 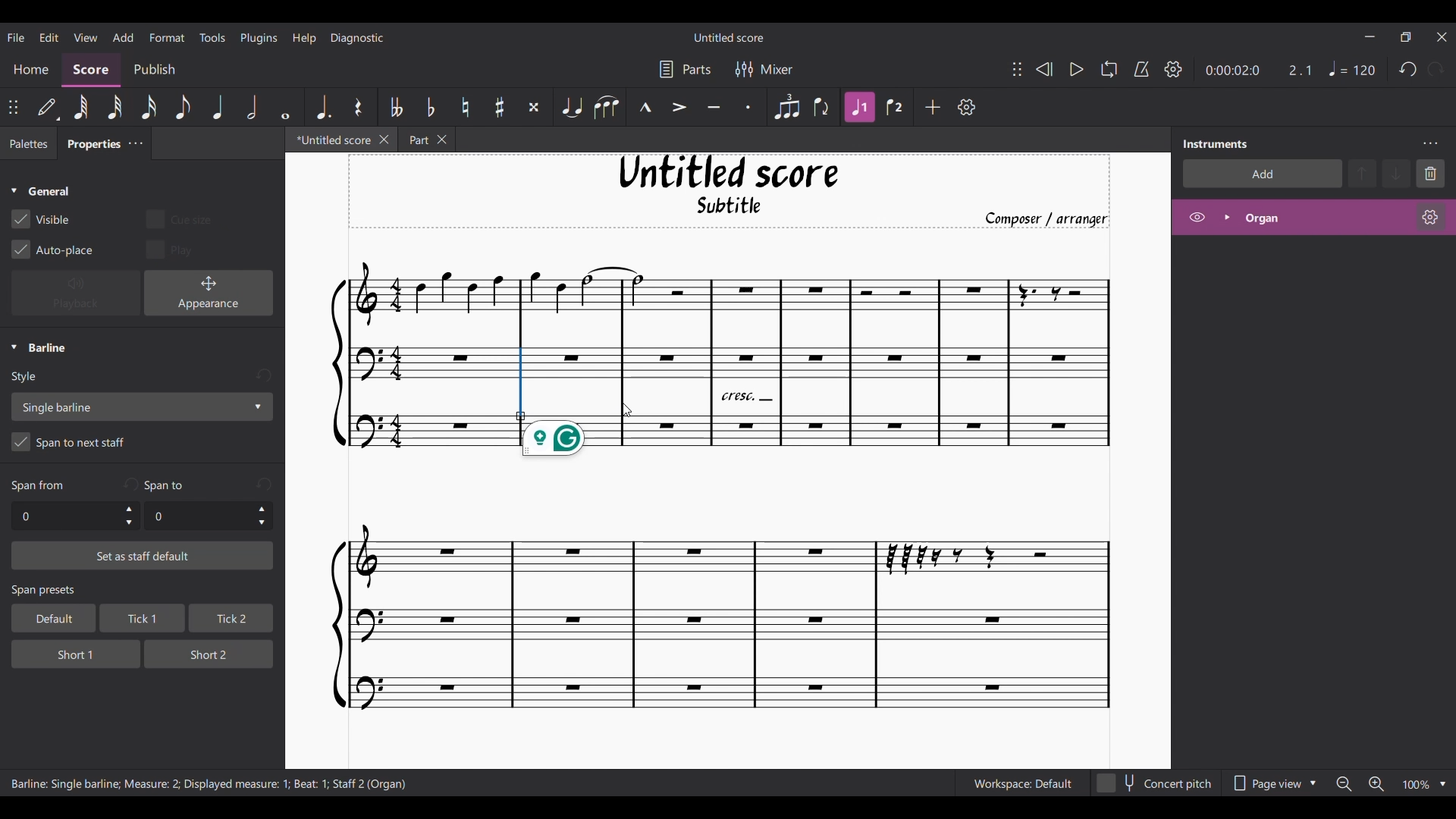 I want to click on Quarter note, so click(x=218, y=107).